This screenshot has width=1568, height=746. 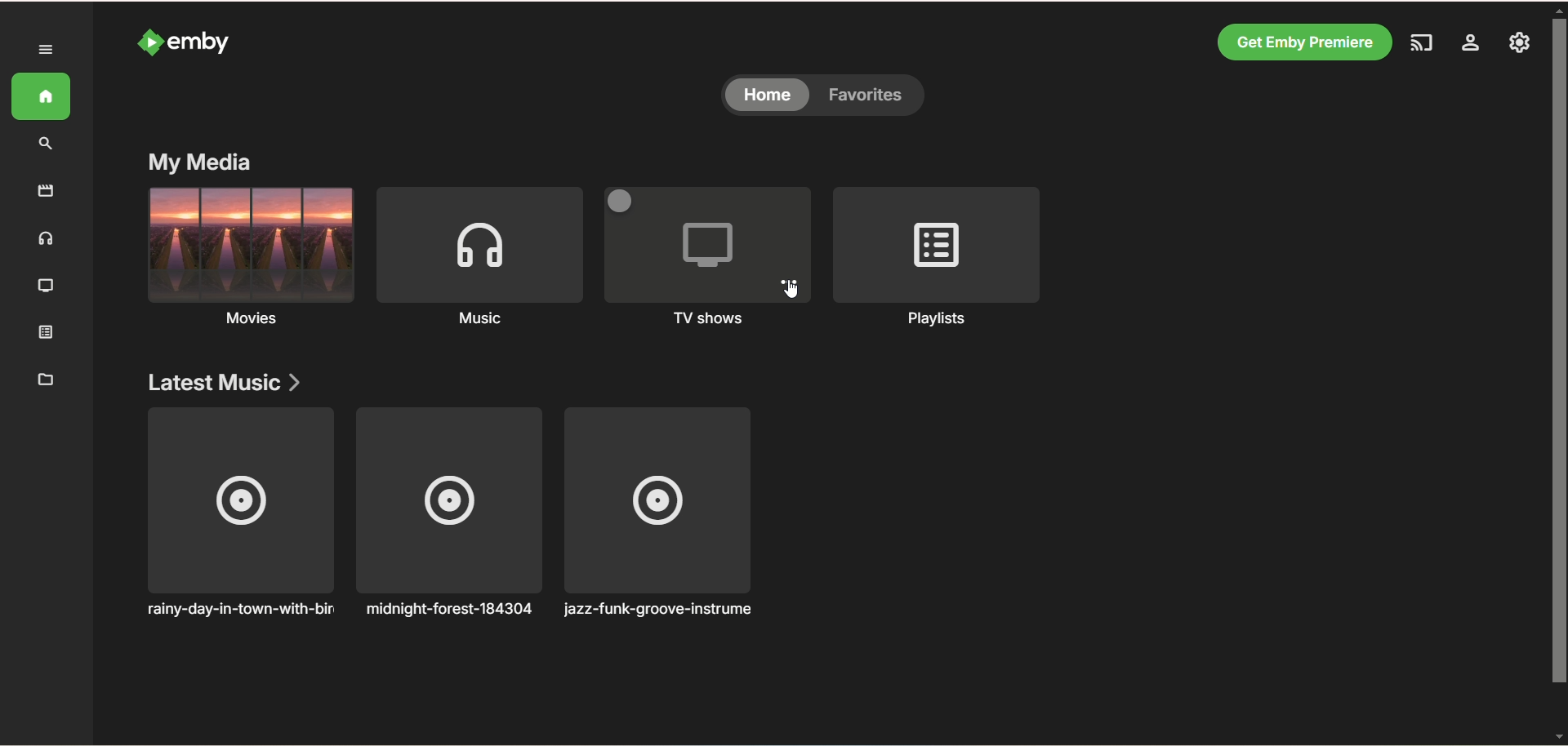 What do you see at coordinates (478, 262) in the screenshot?
I see `Music` at bounding box center [478, 262].